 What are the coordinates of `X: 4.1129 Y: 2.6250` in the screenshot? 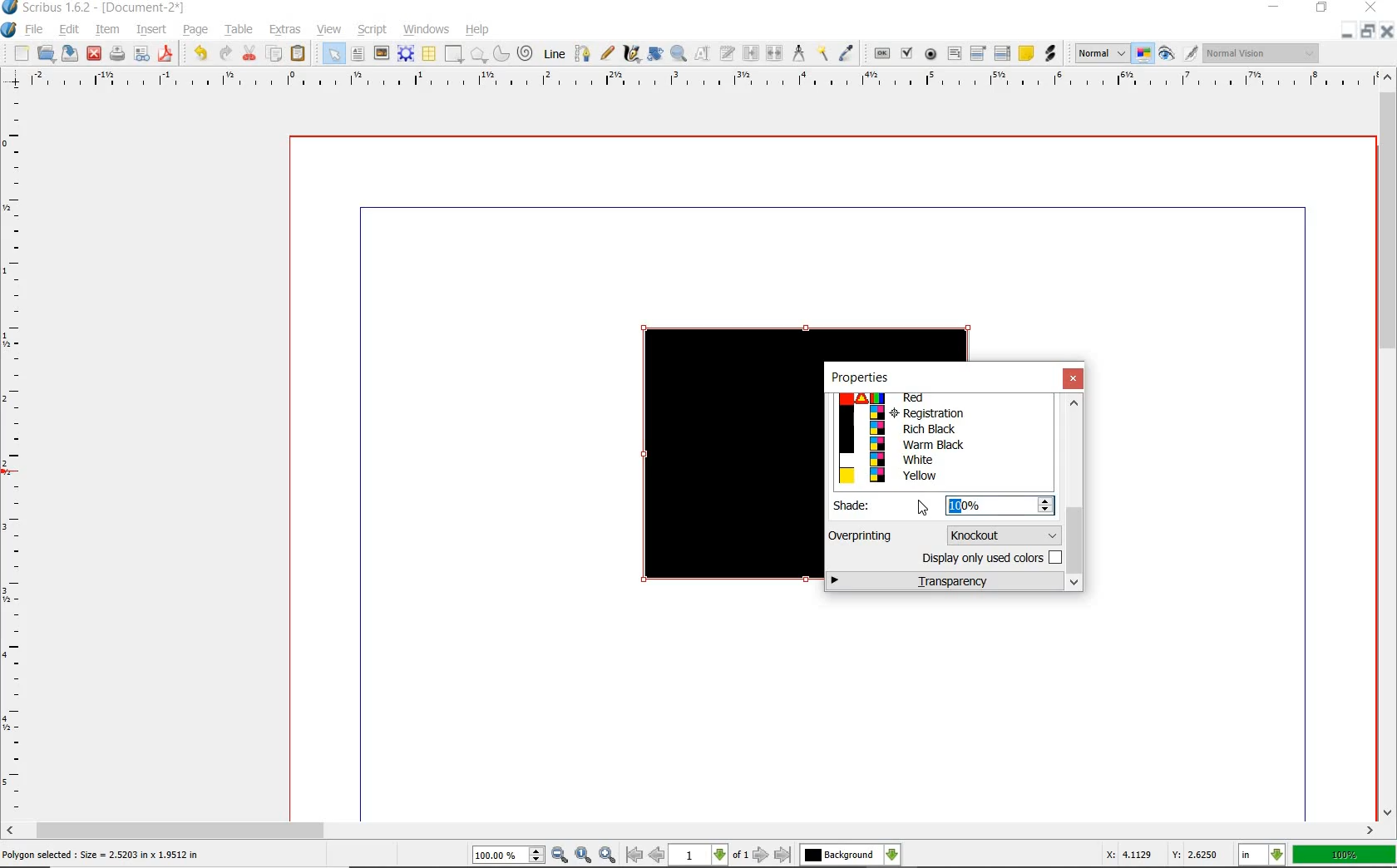 It's located at (1163, 854).